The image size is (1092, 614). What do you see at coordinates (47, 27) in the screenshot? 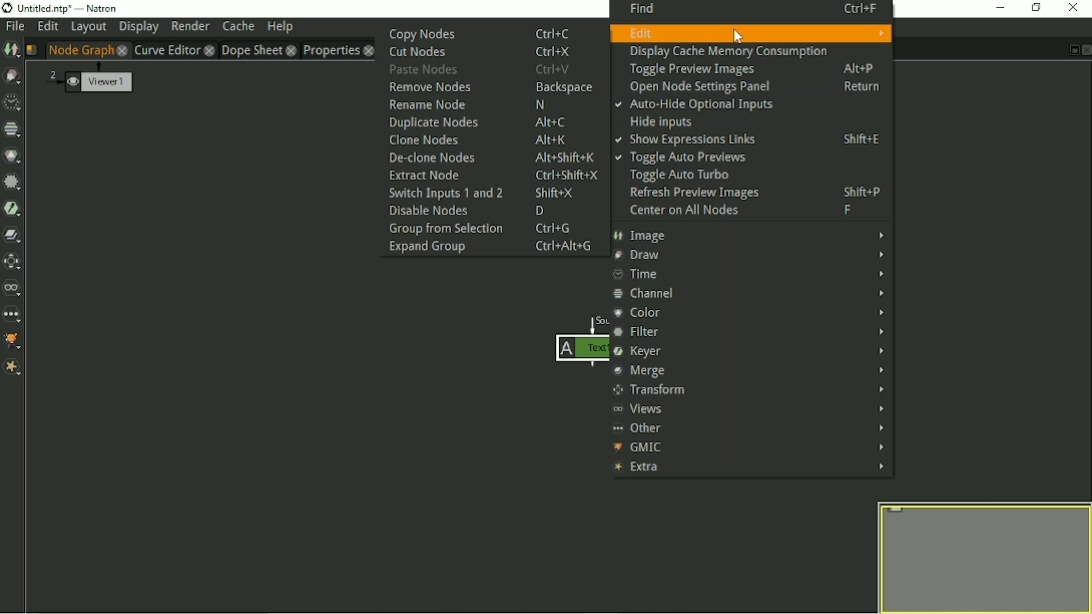
I see `Edit` at bounding box center [47, 27].